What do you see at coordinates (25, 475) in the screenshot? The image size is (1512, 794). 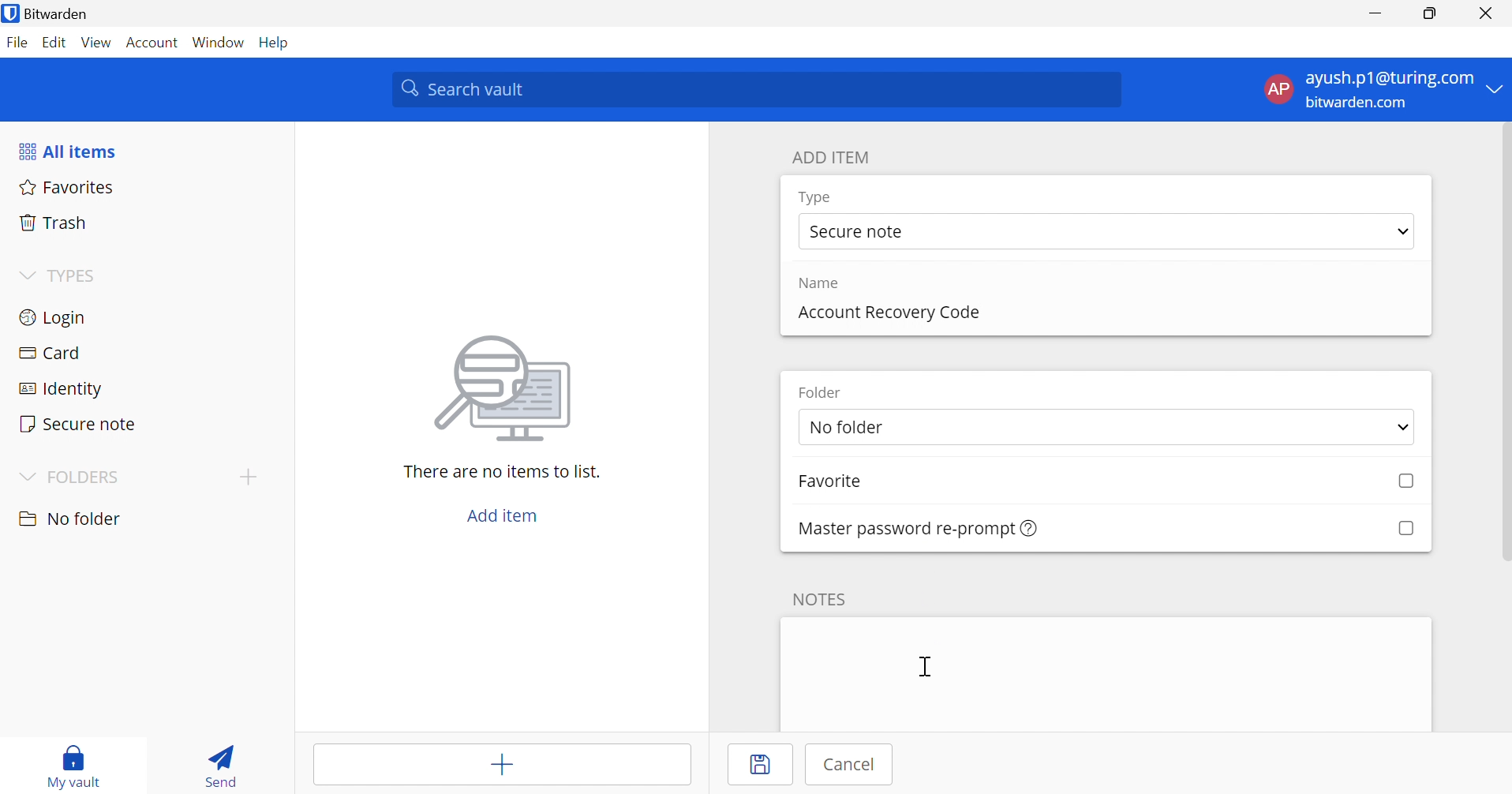 I see `Drop Down` at bounding box center [25, 475].